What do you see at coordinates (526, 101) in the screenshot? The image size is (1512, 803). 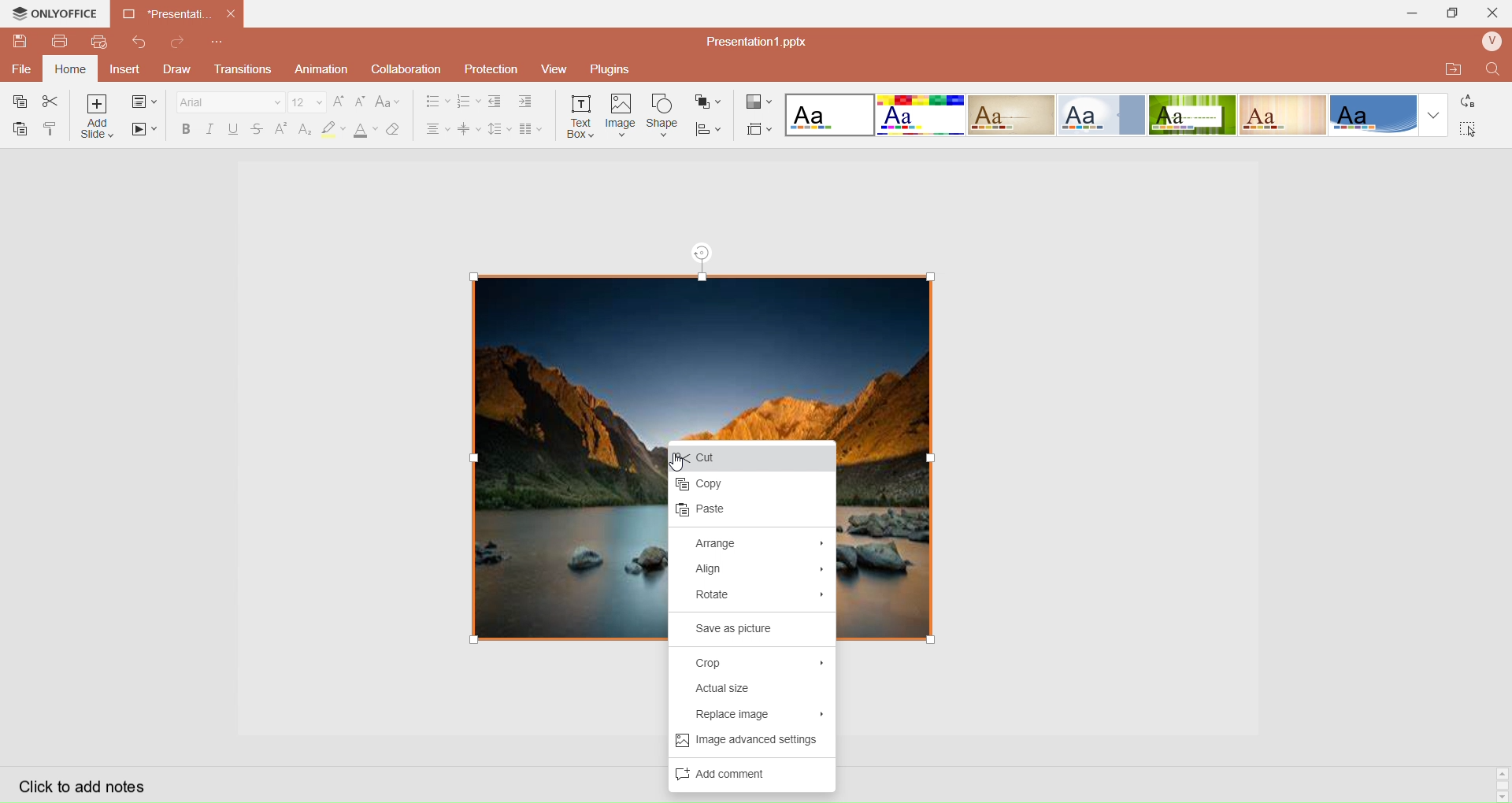 I see `Increase Indent` at bounding box center [526, 101].